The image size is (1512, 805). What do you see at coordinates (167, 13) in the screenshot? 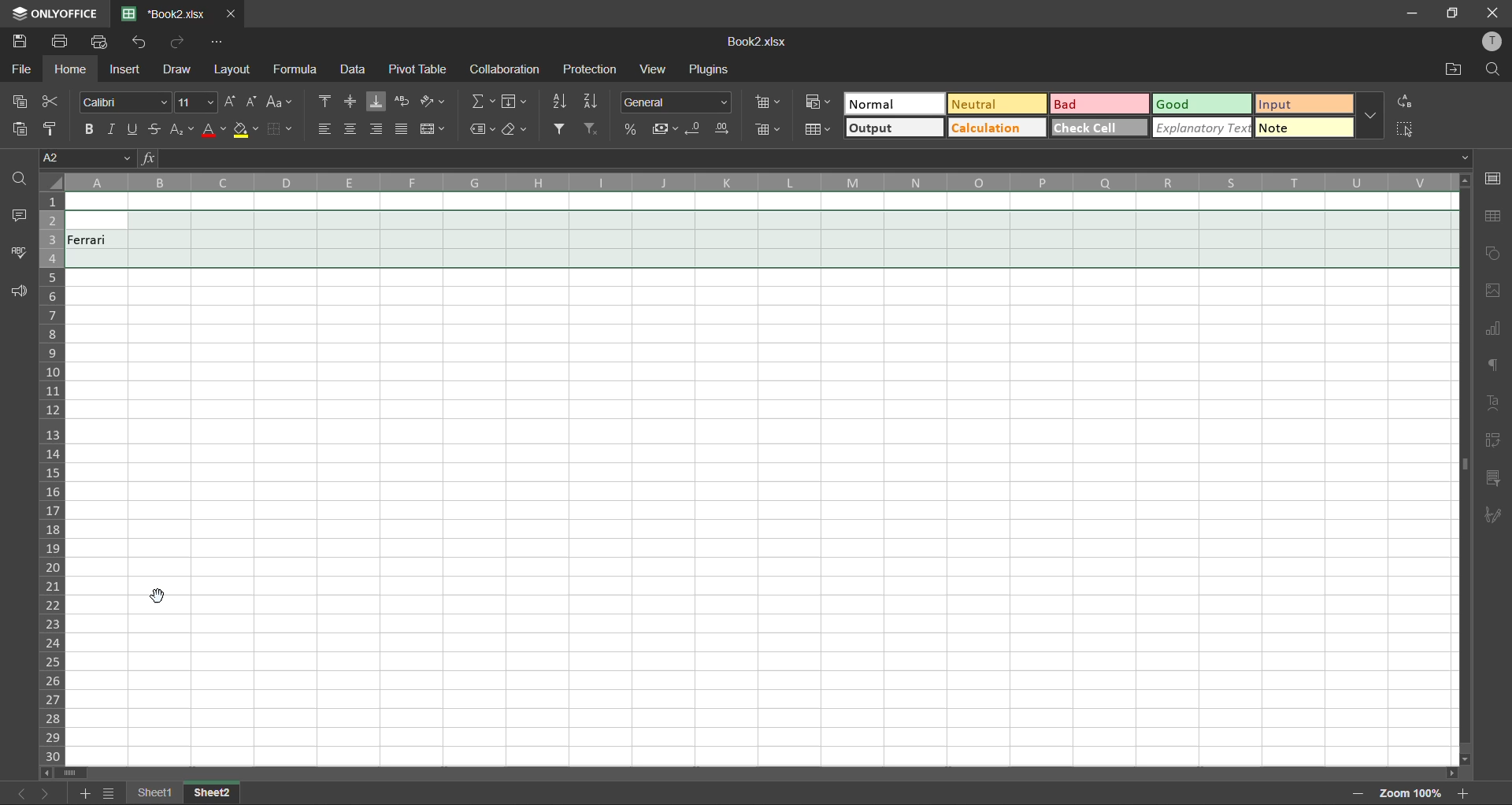
I see `*Book2.xlsx` at bounding box center [167, 13].